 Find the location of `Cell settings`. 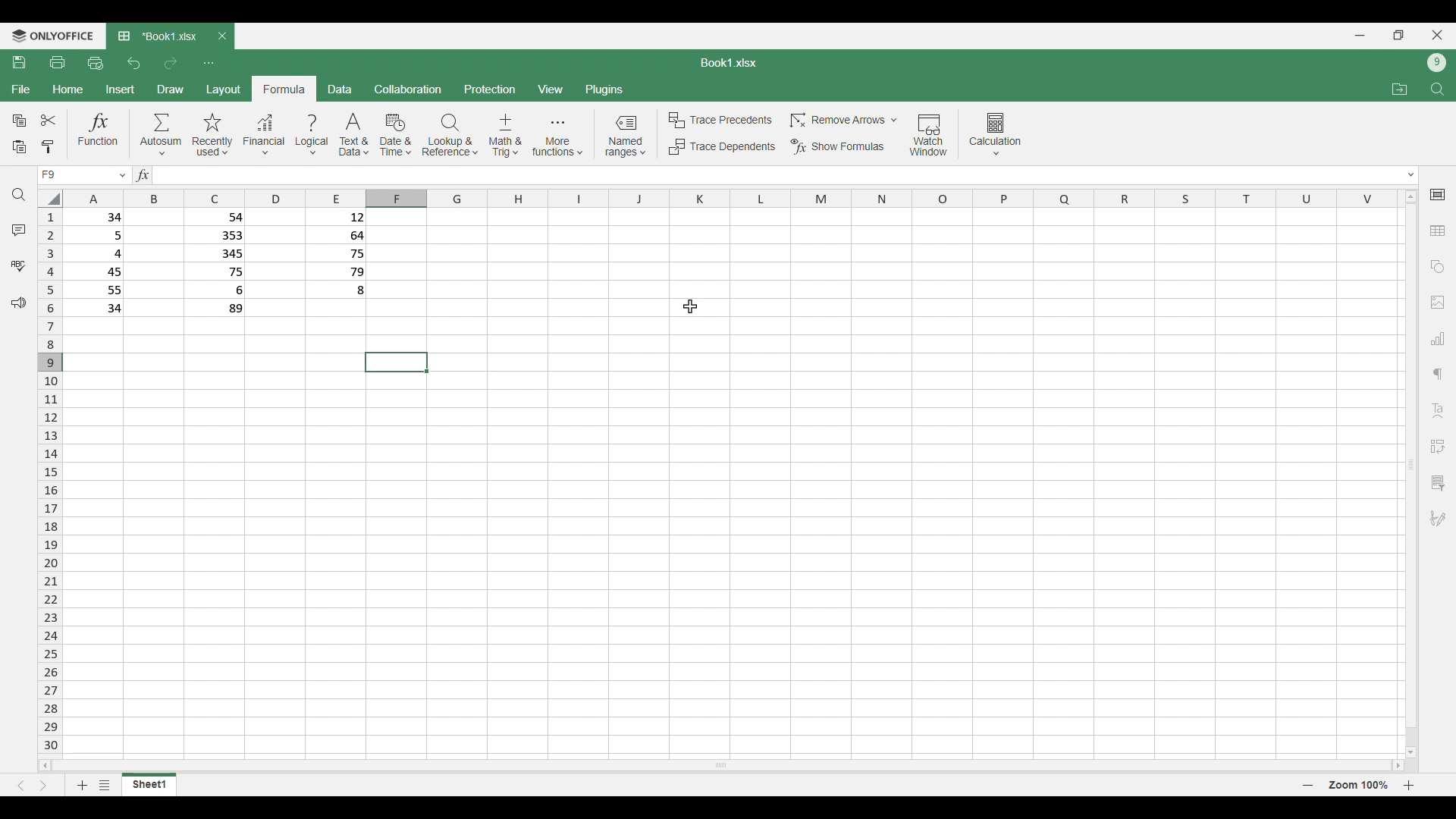

Cell settings is located at coordinates (1438, 195).